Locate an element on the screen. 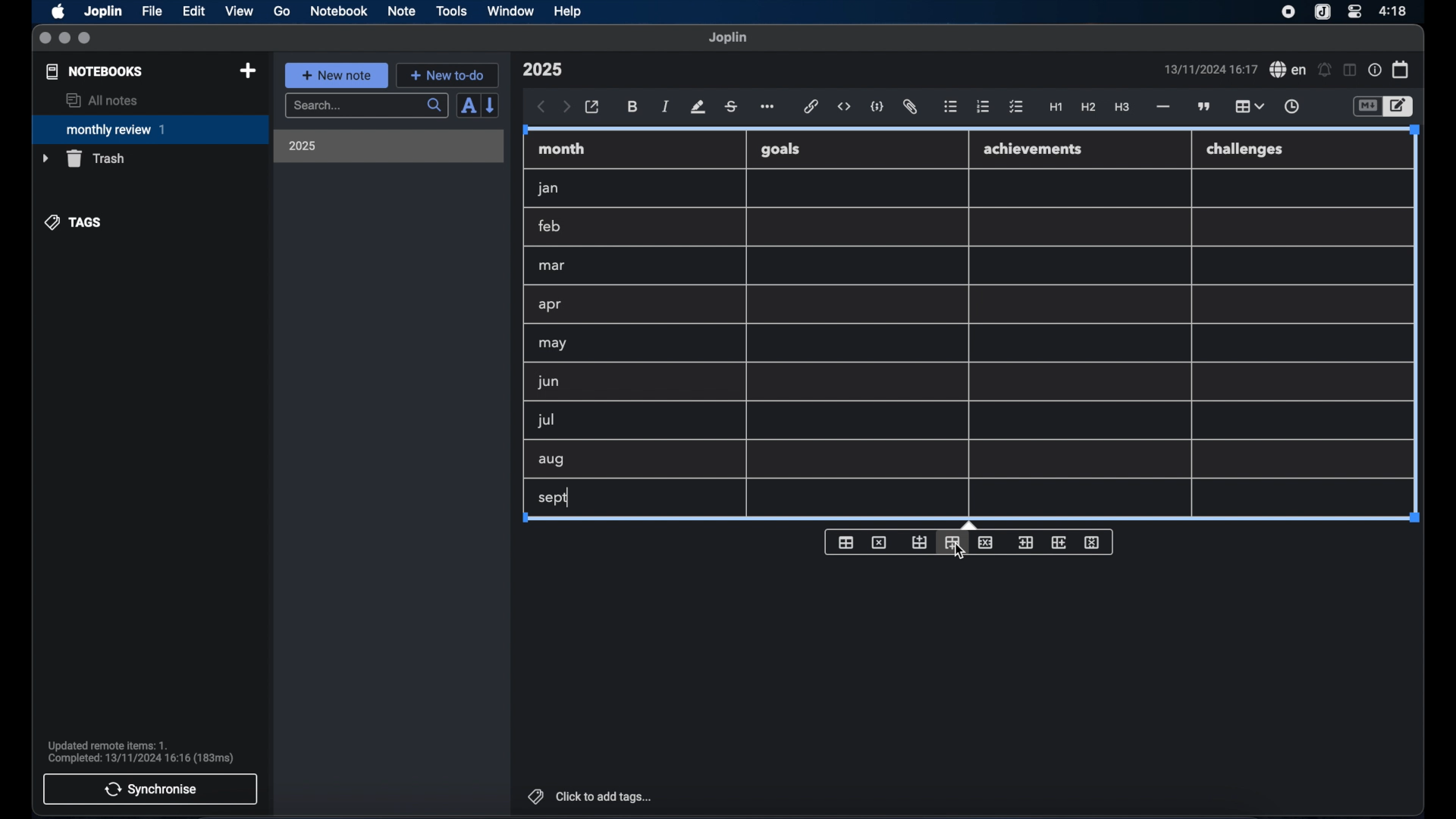 This screenshot has width=1456, height=819. block quotes is located at coordinates (1205, 107).